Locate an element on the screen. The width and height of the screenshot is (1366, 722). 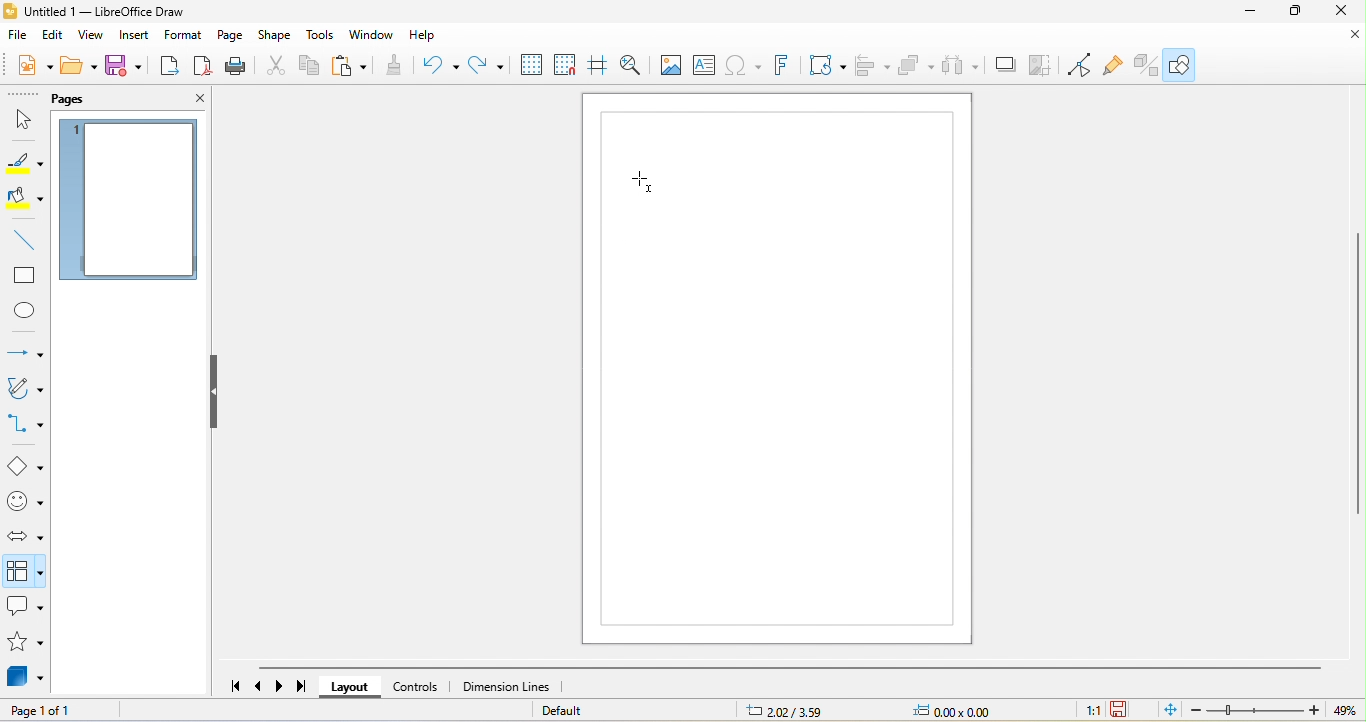
untitled 1- libre office draw is located at coordinates (103, 12).